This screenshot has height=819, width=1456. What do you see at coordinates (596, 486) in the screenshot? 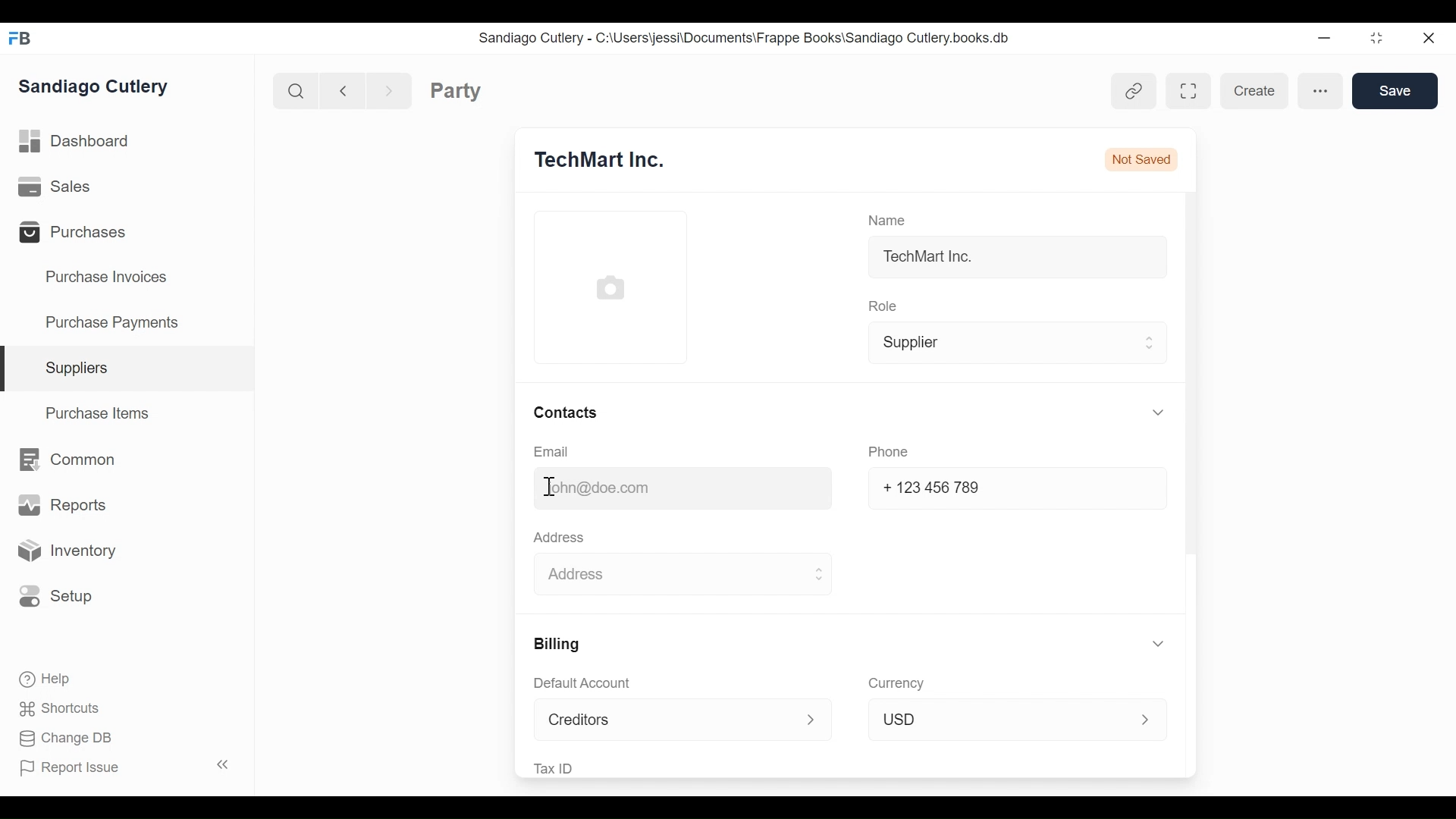
I see `john@doe.com` at bounding box center [596, 486].